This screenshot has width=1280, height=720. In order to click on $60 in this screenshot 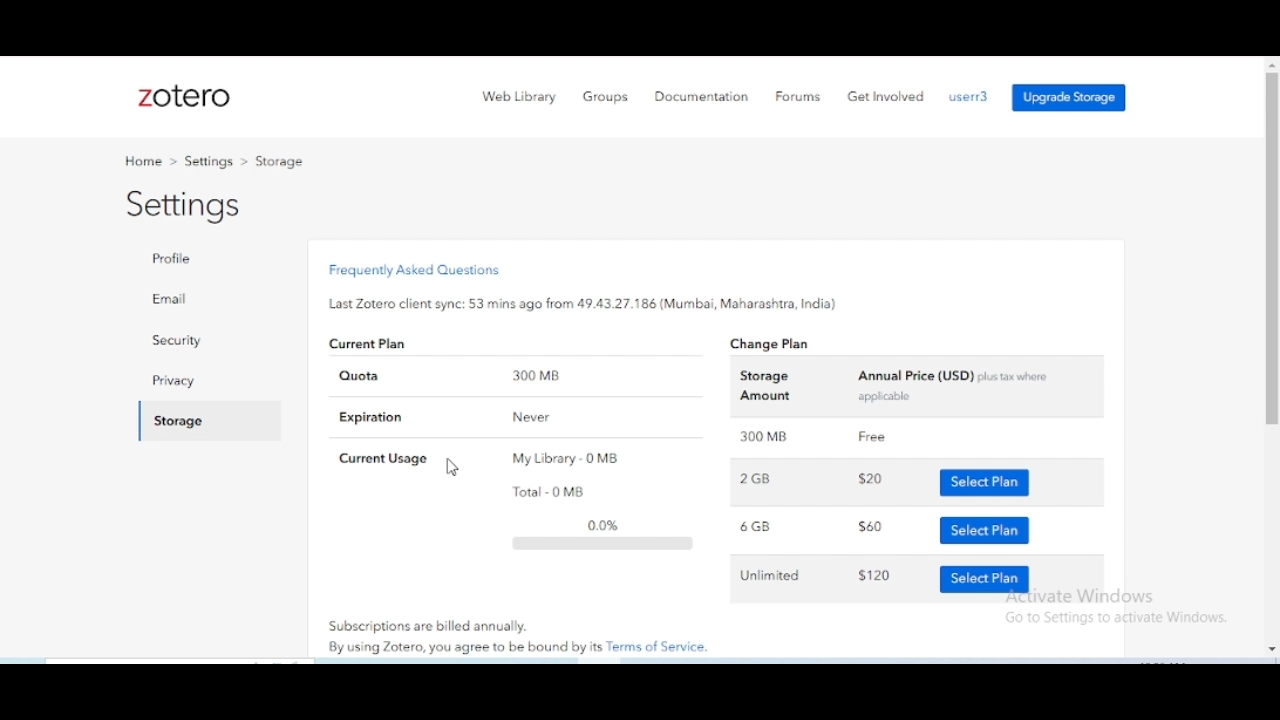, I will do `click(870, 526)`.